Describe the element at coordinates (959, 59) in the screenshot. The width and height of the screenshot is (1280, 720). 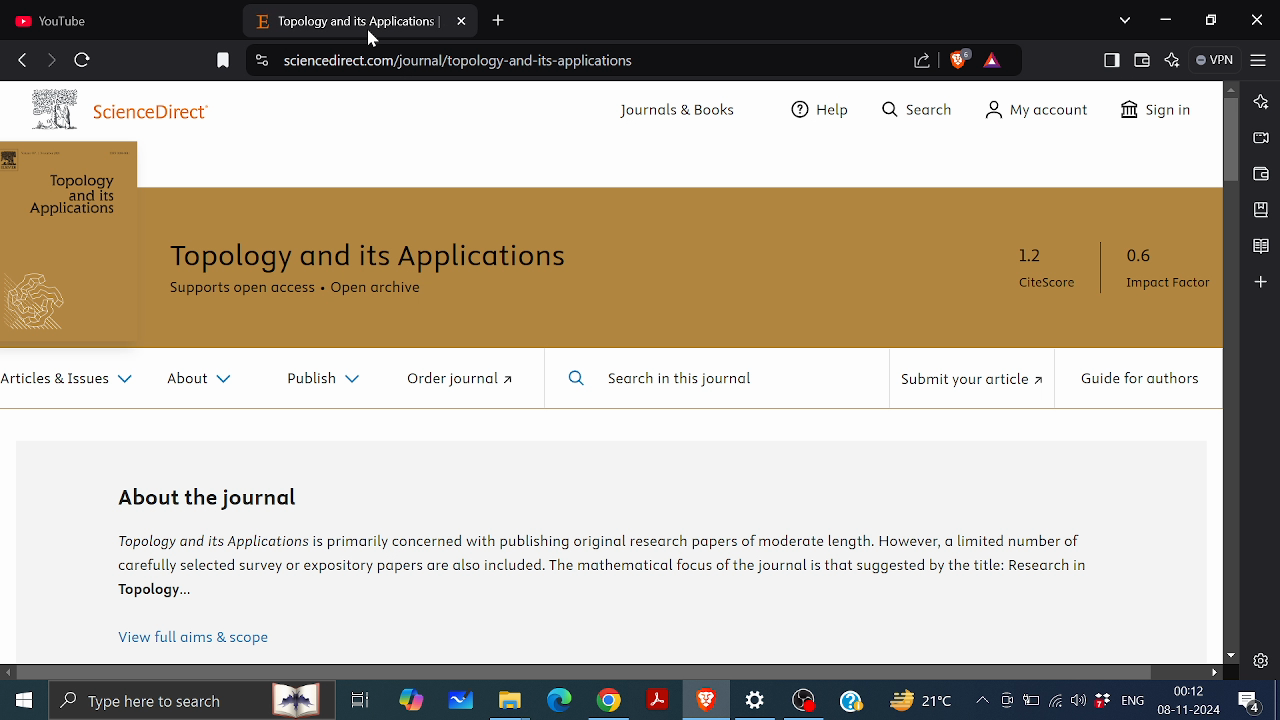
I see `Brave shield` at that location.